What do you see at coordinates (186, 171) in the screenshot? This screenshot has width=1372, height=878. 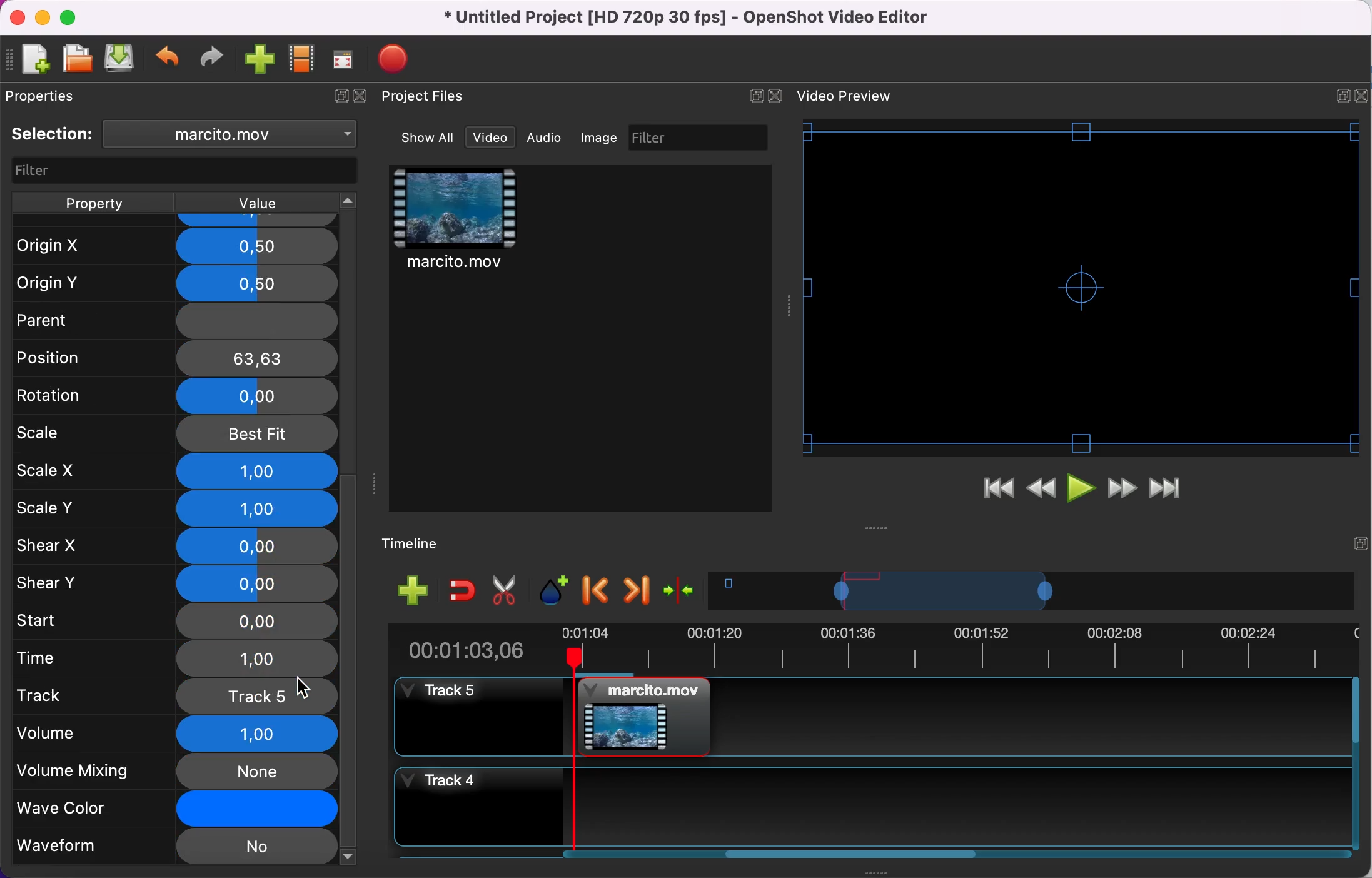 I see `filter` at bounding box center [186, 171].